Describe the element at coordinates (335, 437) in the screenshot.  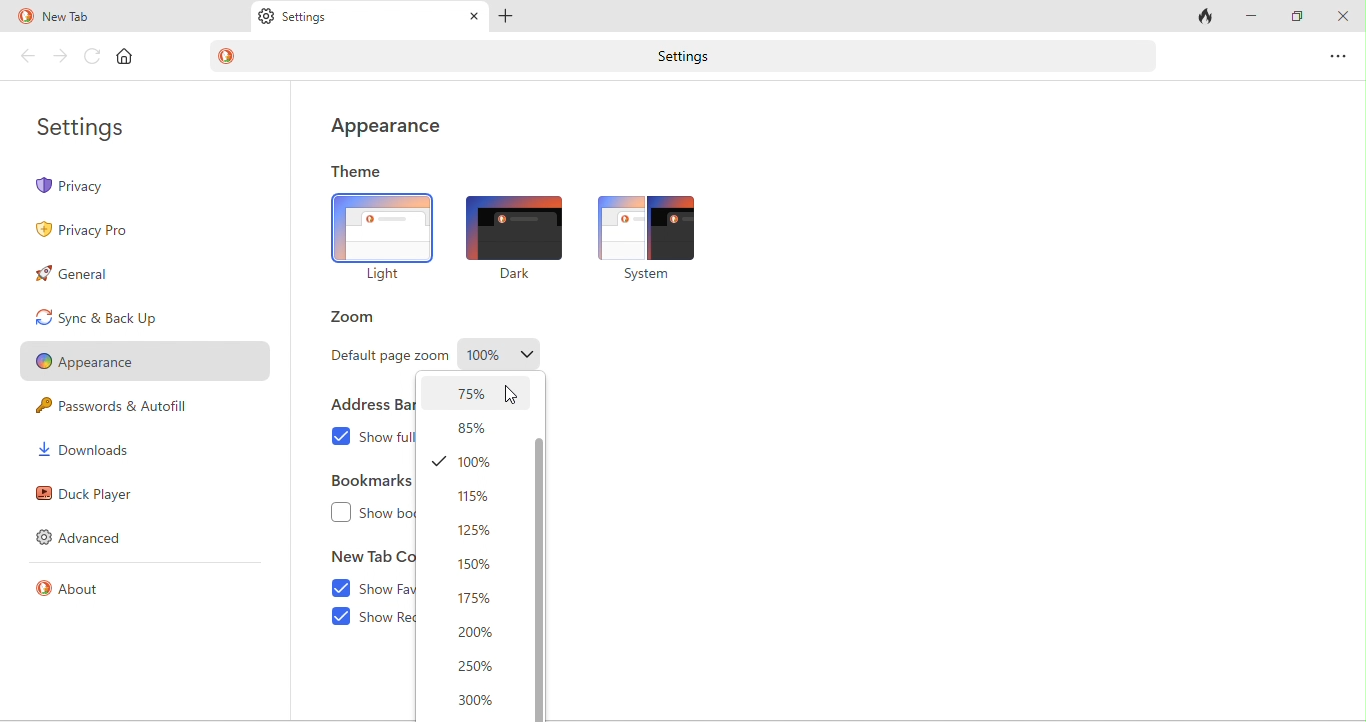
I see `enable checkbox` at that location.